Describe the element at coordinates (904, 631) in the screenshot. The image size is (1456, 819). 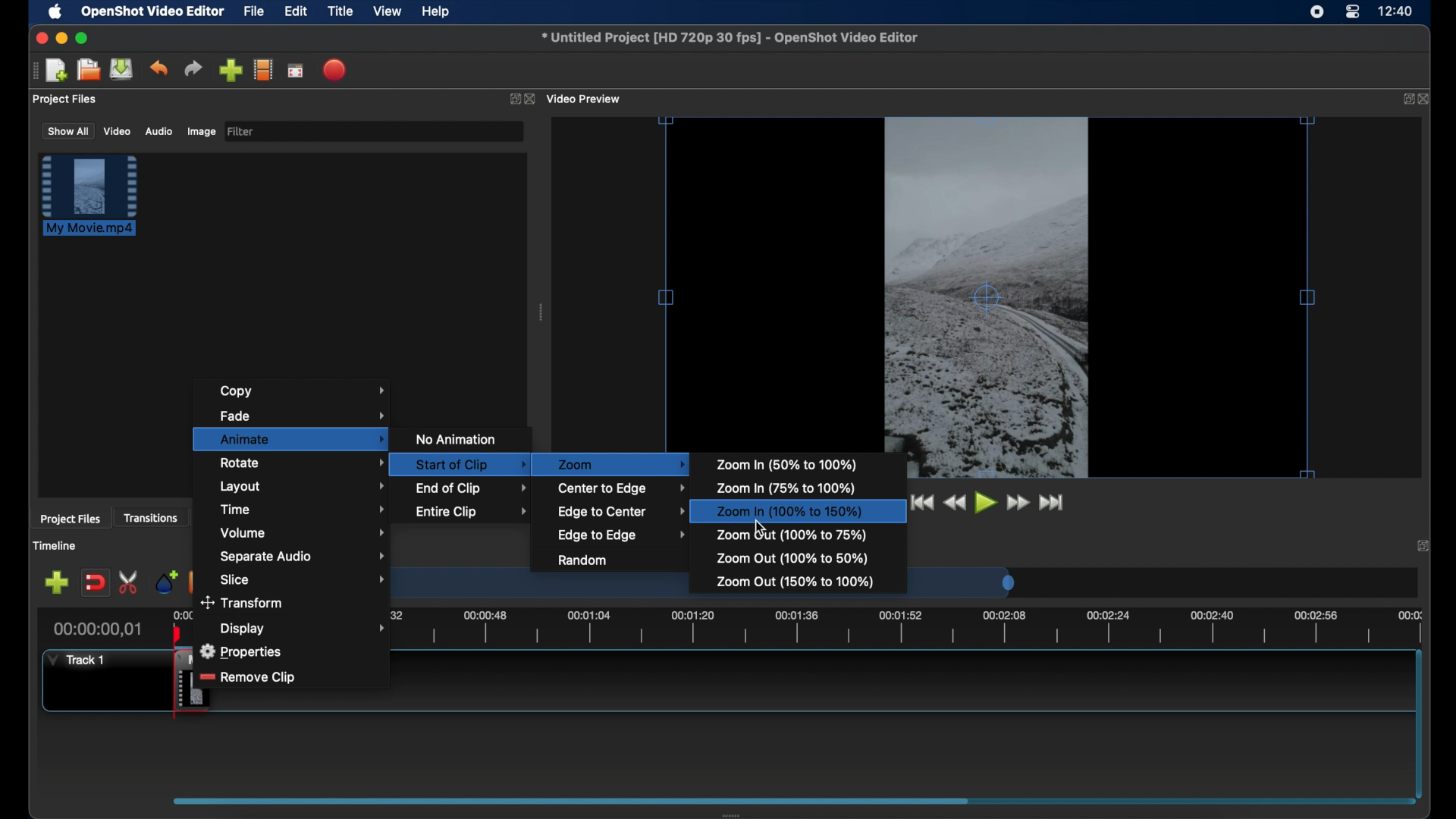
I see `timeline scale` at that location.